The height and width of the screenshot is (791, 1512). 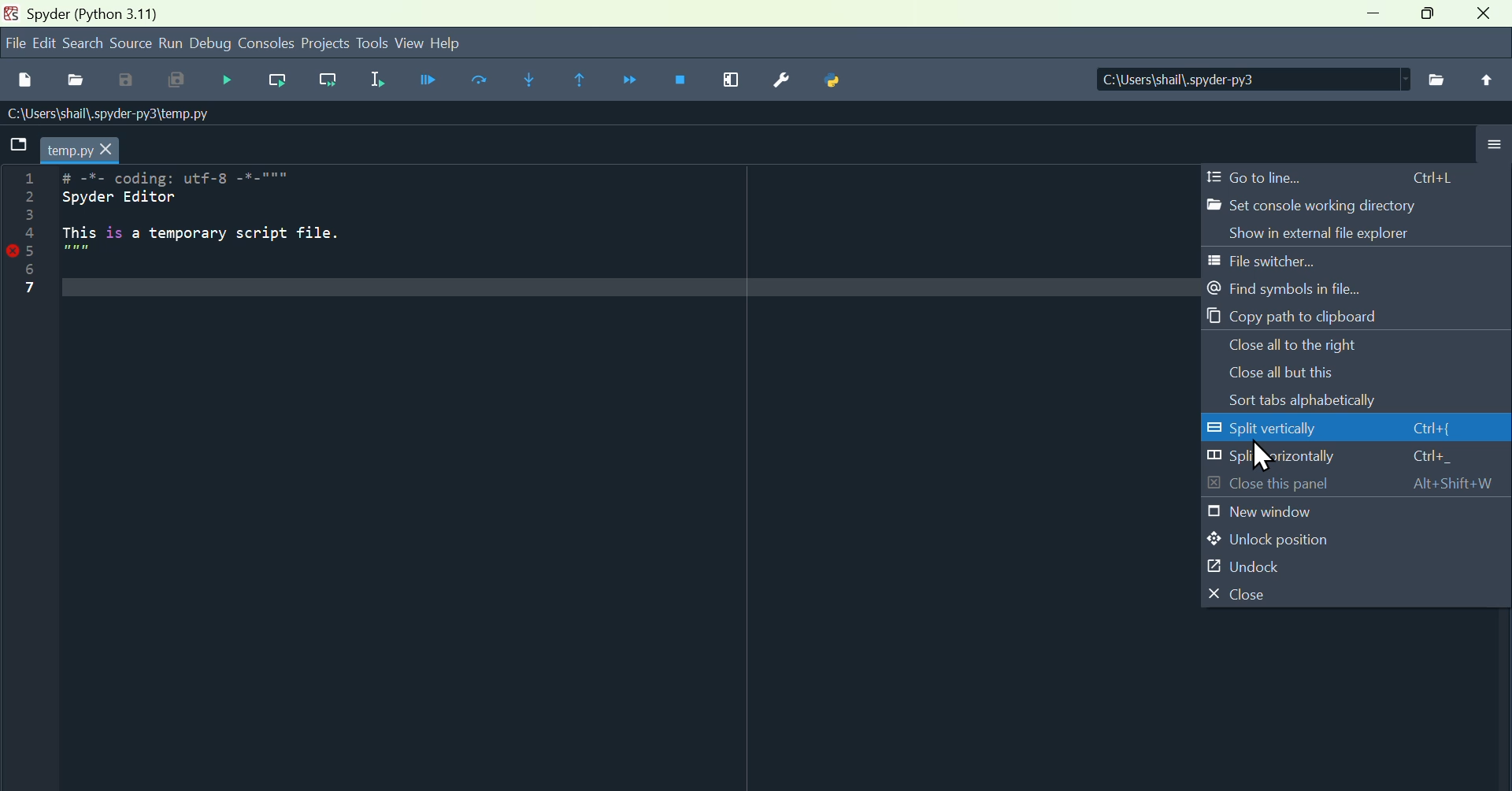 I want to click on search, so click(x=86, y=45).